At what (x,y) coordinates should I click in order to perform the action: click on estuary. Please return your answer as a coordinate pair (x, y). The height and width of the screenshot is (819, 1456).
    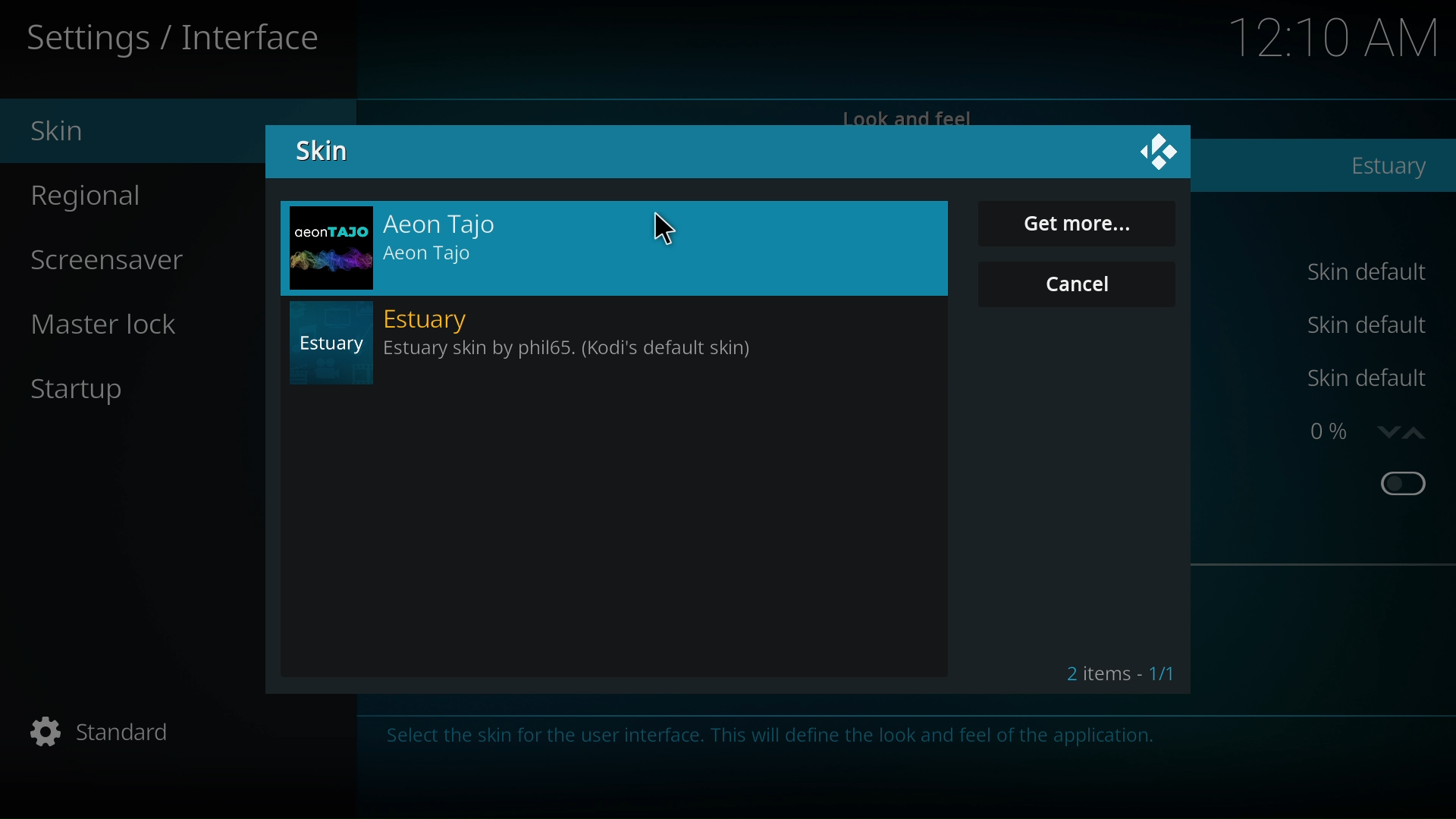
    Looking at the image, I should click on (1382, 168).